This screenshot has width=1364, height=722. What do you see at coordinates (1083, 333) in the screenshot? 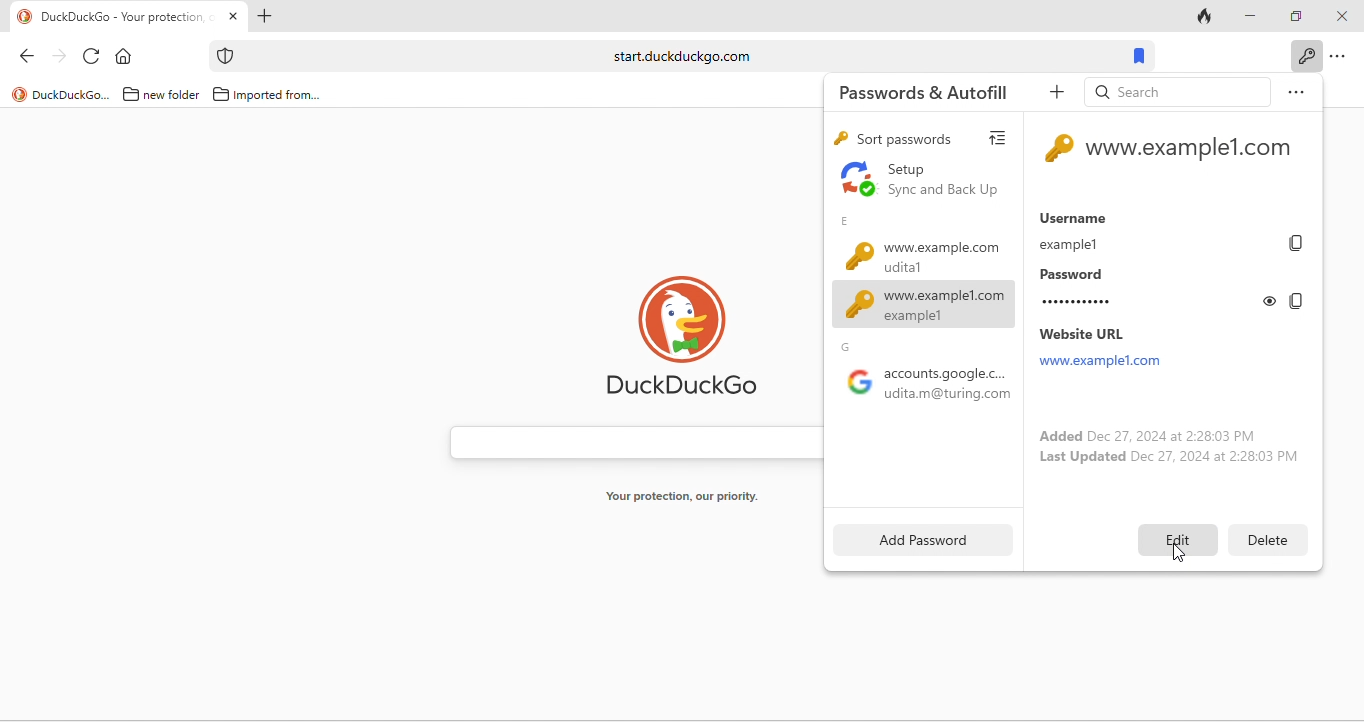
I see `website url` at bounding box center [1083, 333].